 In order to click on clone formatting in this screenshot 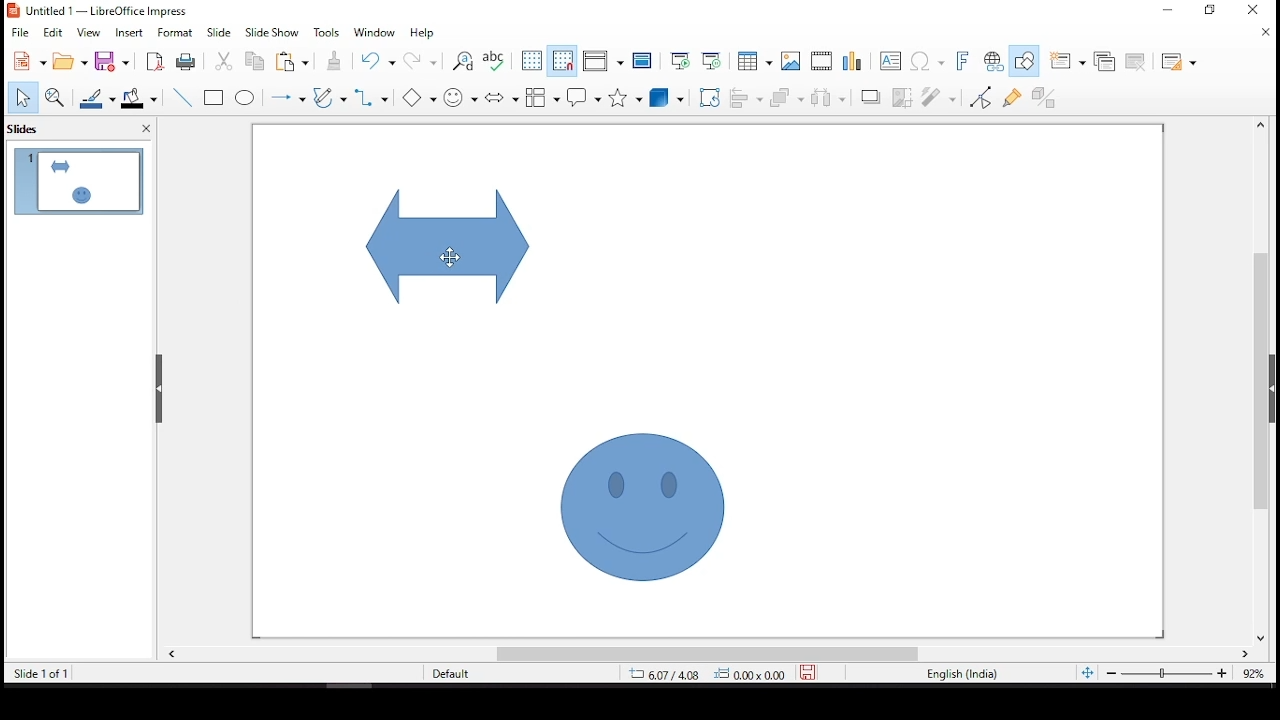, I will do `click(338, 62)`.